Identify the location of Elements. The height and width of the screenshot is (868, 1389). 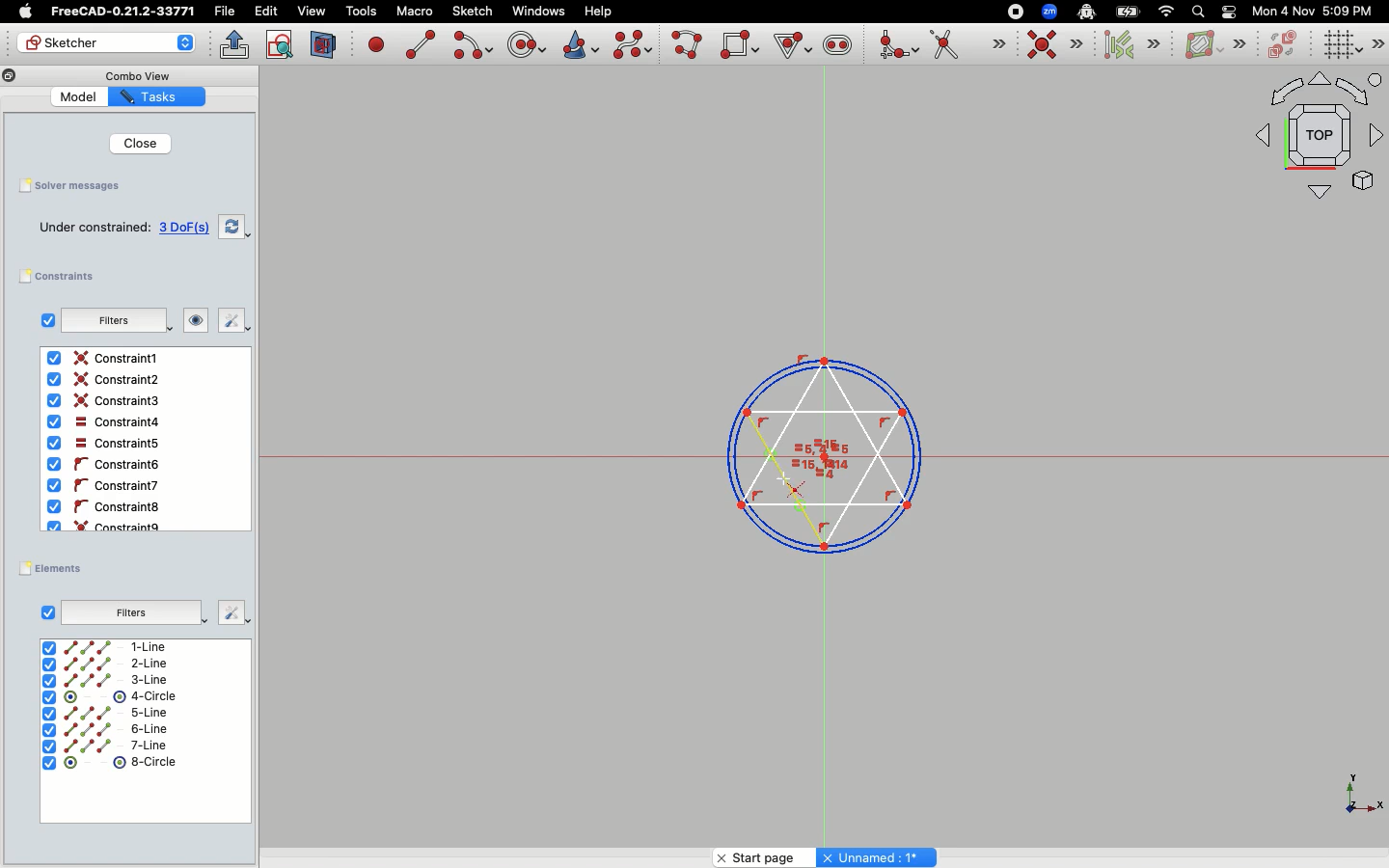
(56, 568).